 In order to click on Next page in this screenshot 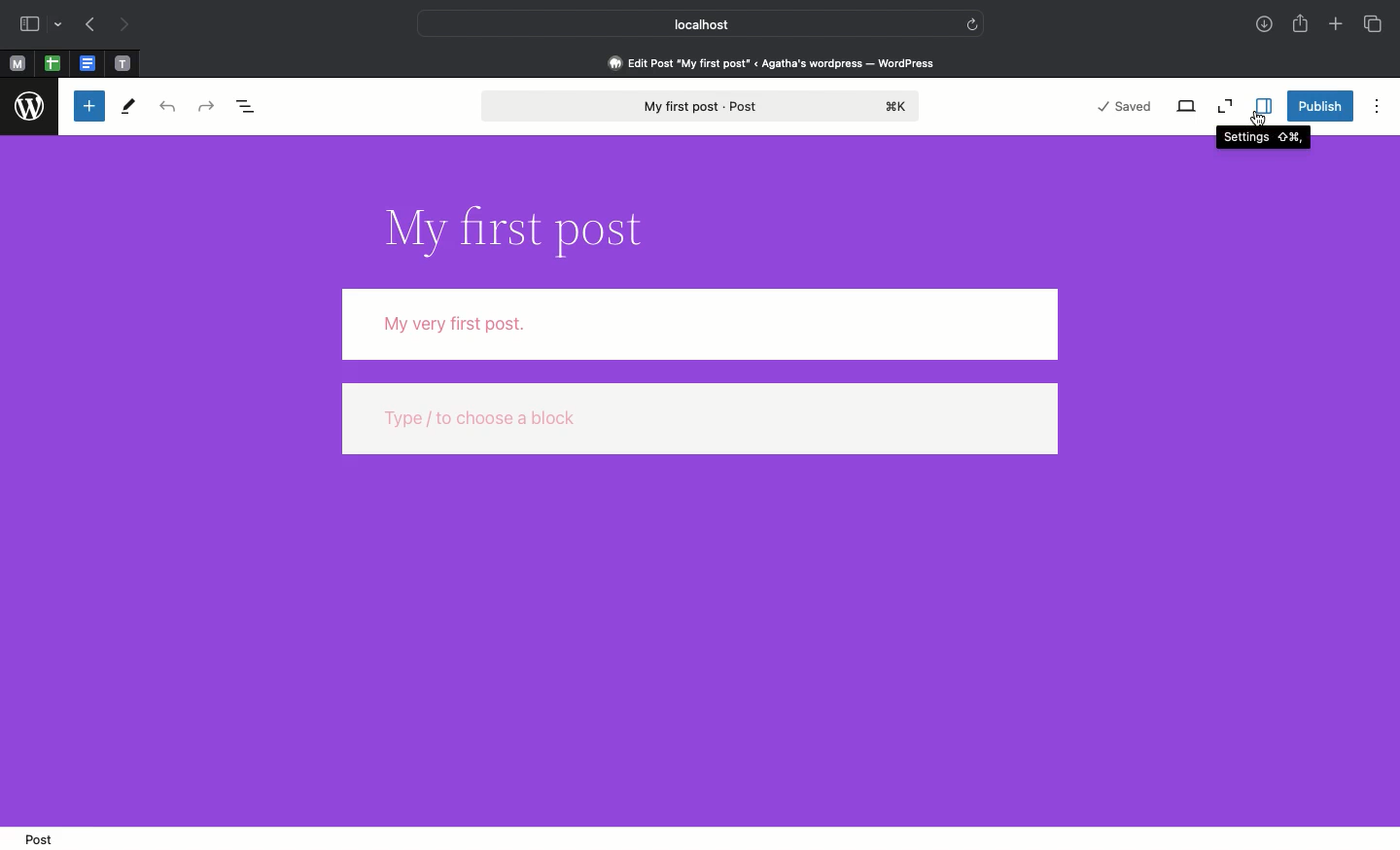, I will do `click(130, 25)`.